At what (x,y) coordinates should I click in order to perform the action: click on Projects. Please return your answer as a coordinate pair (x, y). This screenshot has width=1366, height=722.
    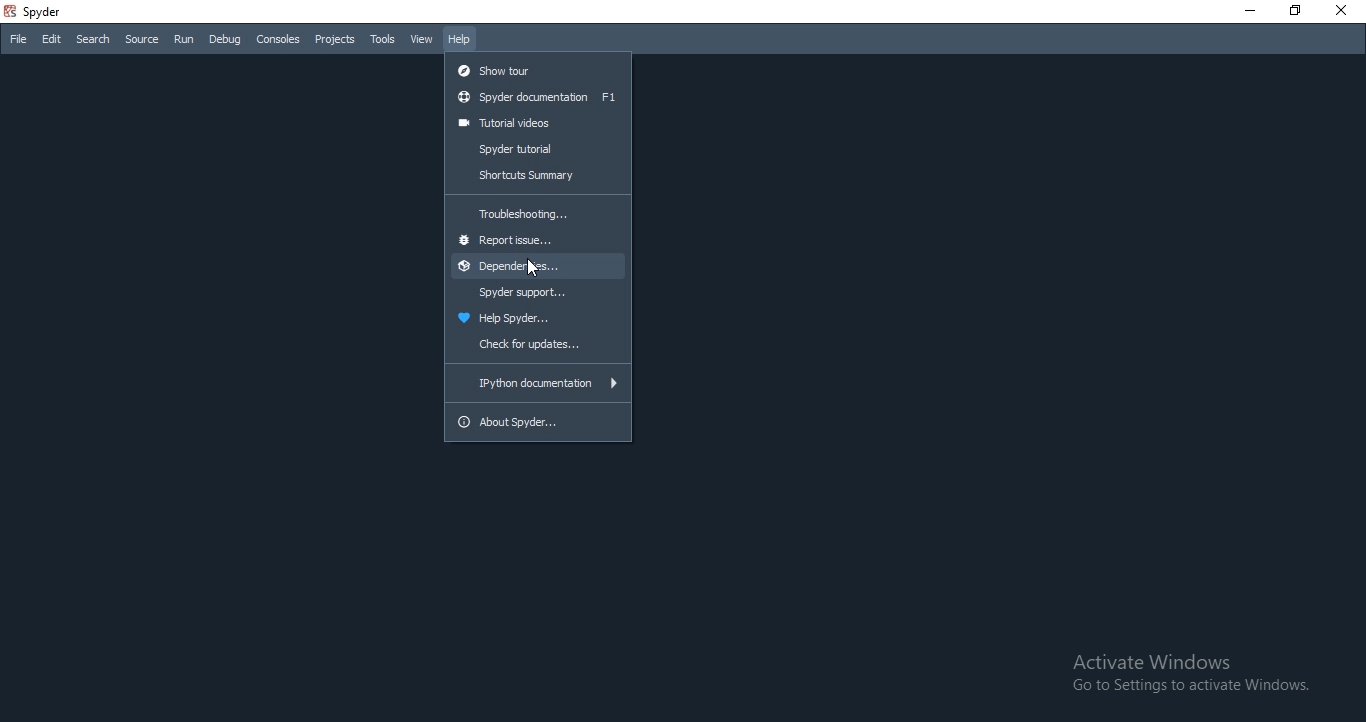
    Looking at the image, I should click on (334, 41).